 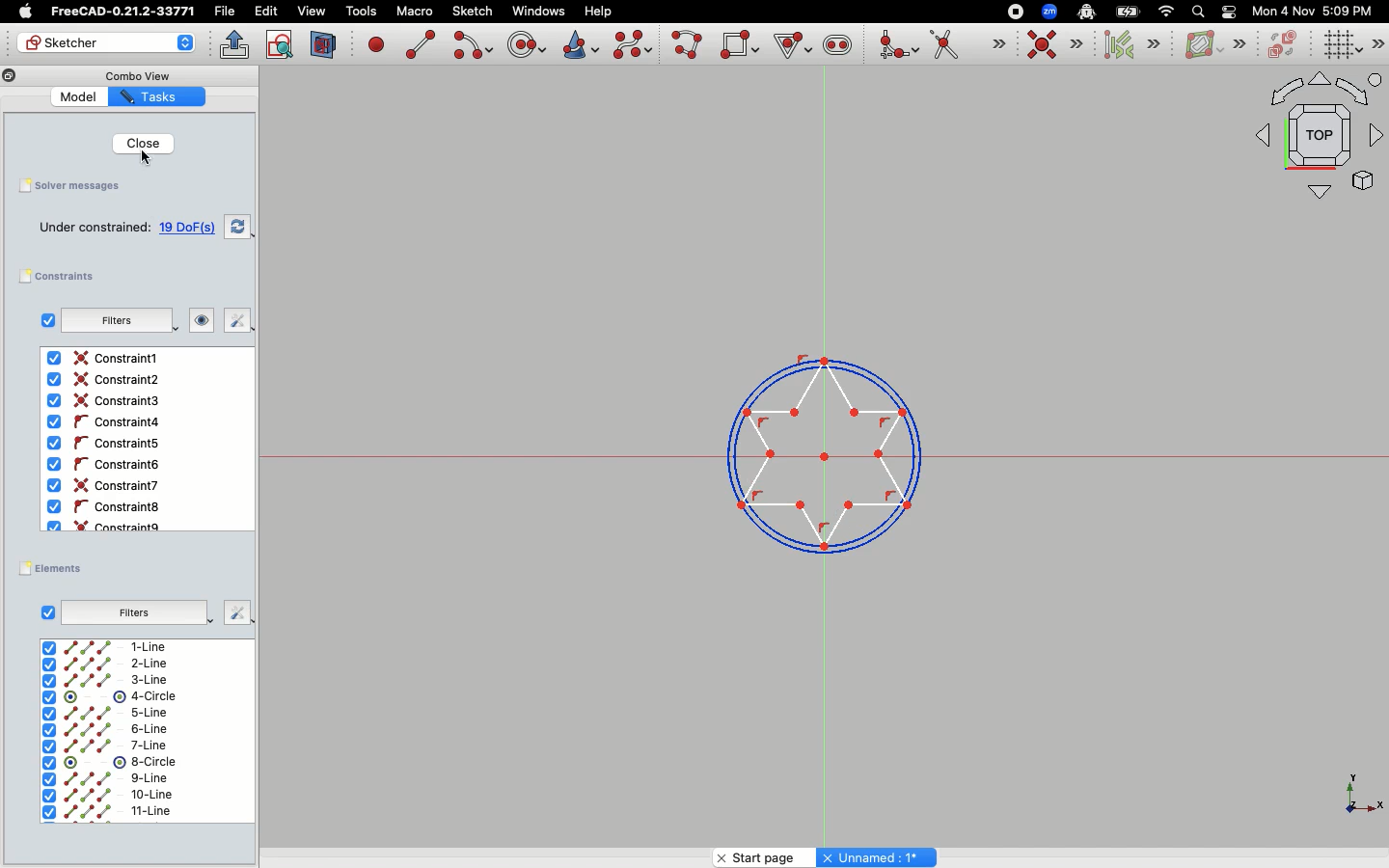 What do you see at coordinates (474, 12) in the screenshot?
I see `Sketch` at bounding box center [474, 12].